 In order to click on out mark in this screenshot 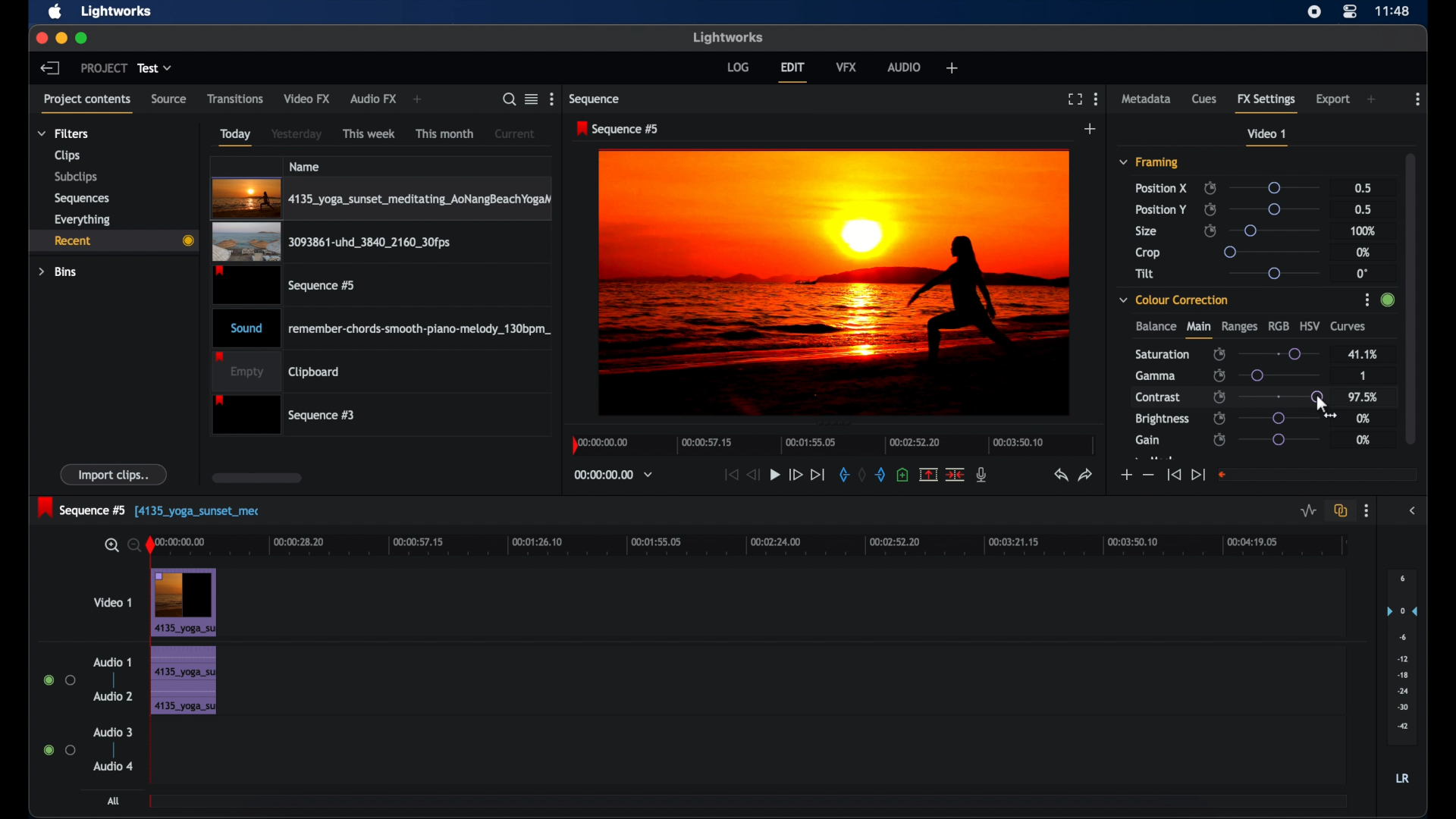, I will do `click(881, 474)`.